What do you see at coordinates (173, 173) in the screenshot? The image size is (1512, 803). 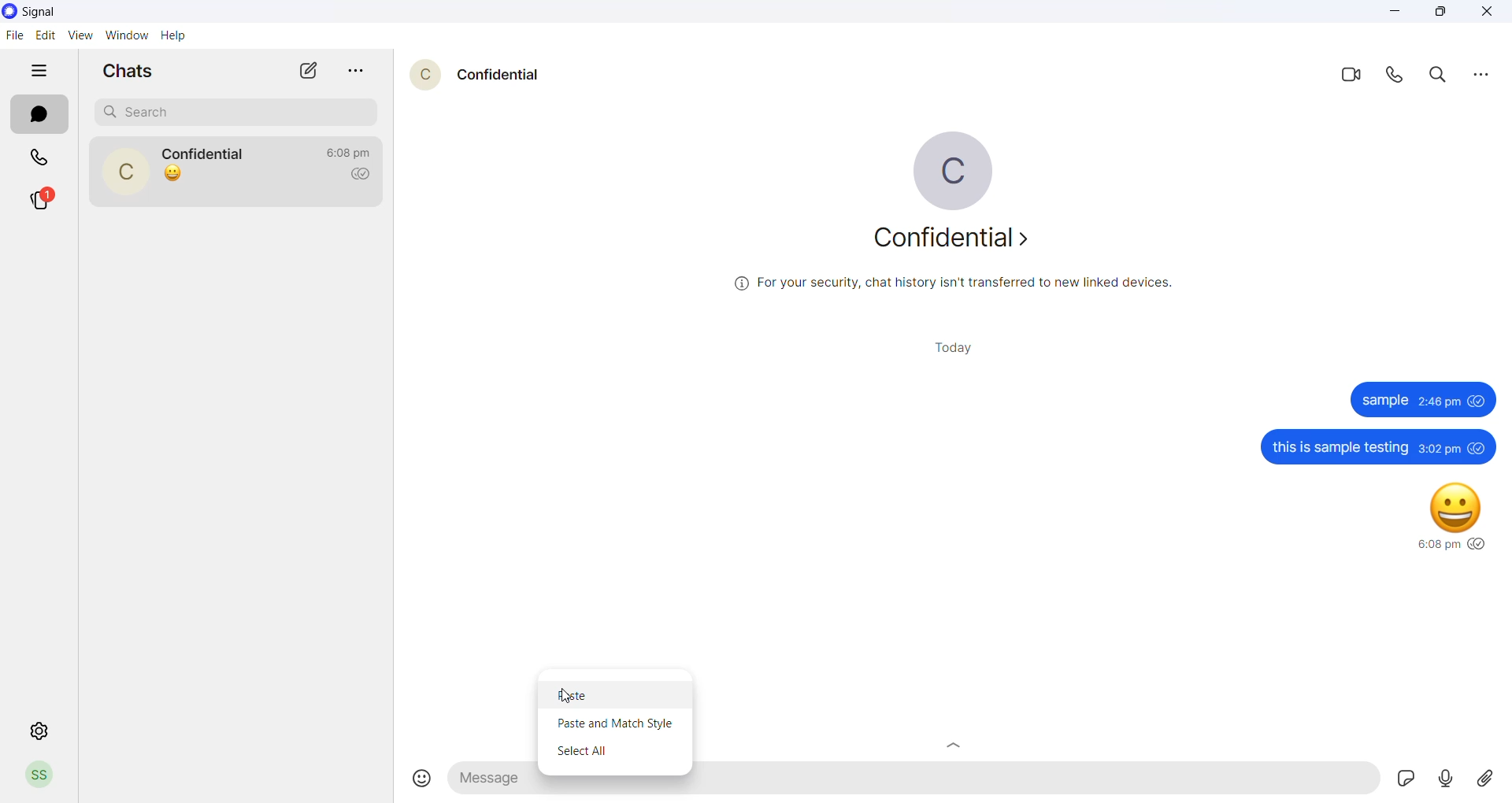 I see `last message` at bounding box center [173, 173].